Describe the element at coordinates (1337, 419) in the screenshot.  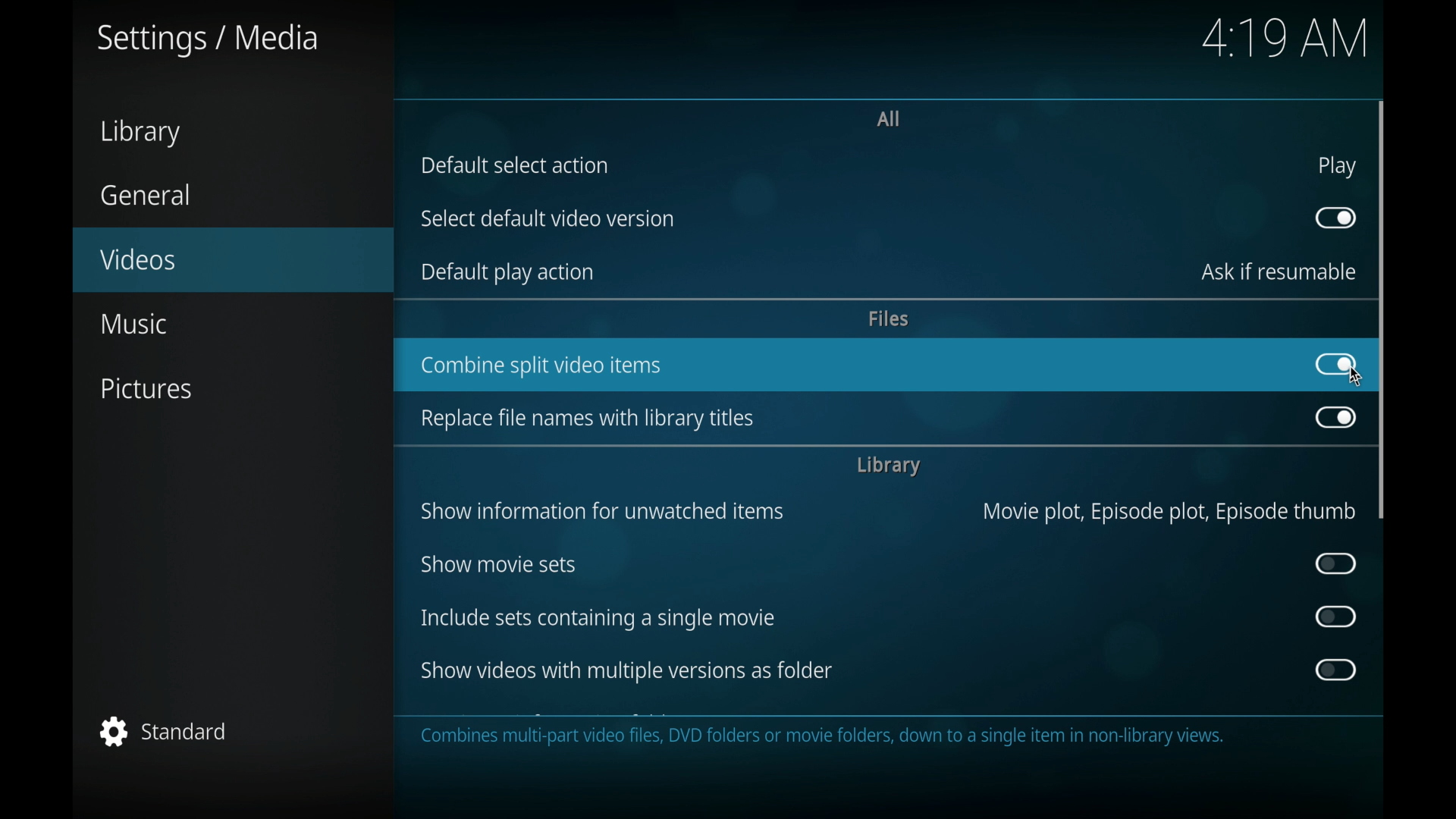
I see `toggle button` at that location.